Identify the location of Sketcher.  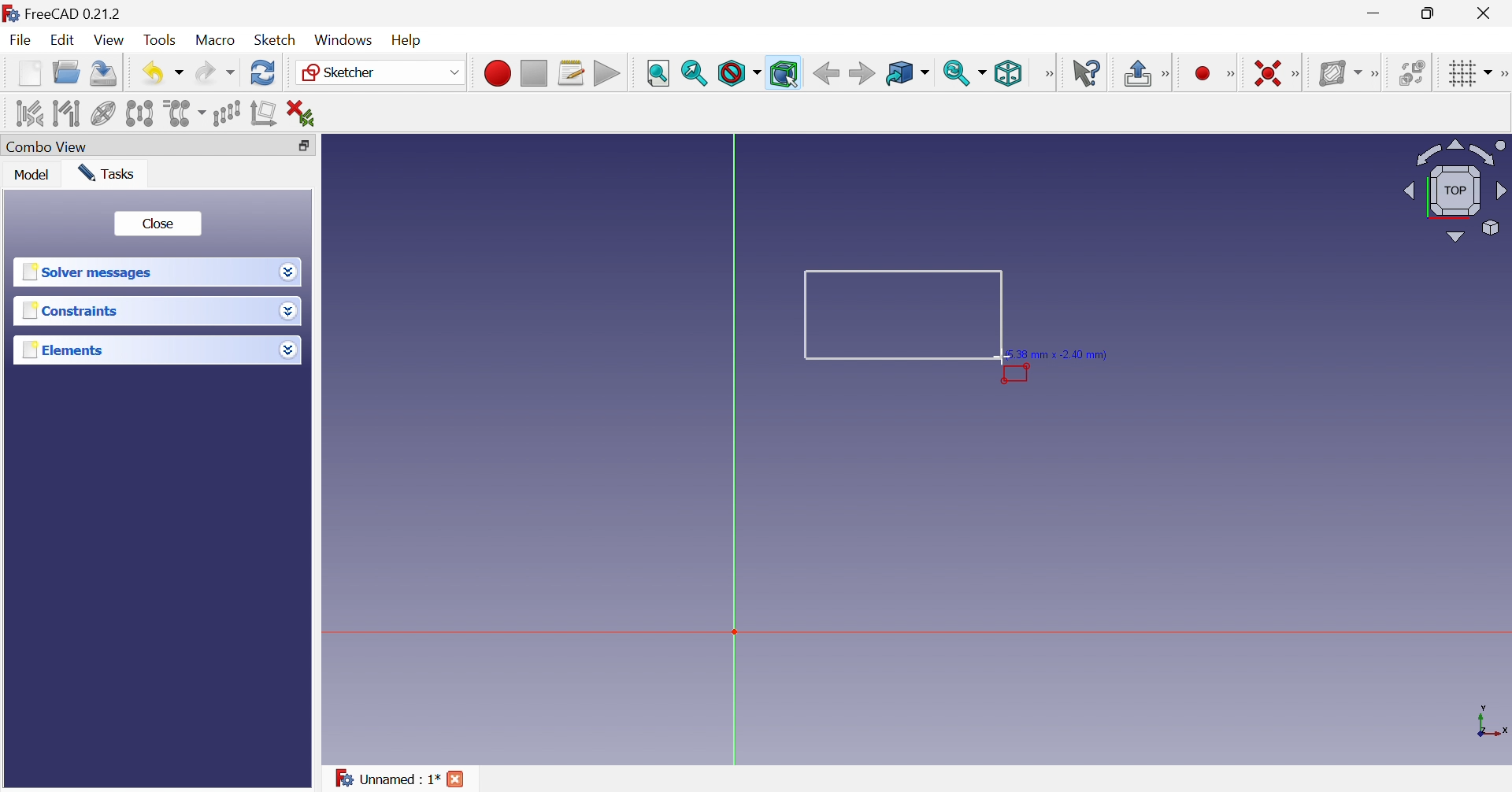
(380, 72).